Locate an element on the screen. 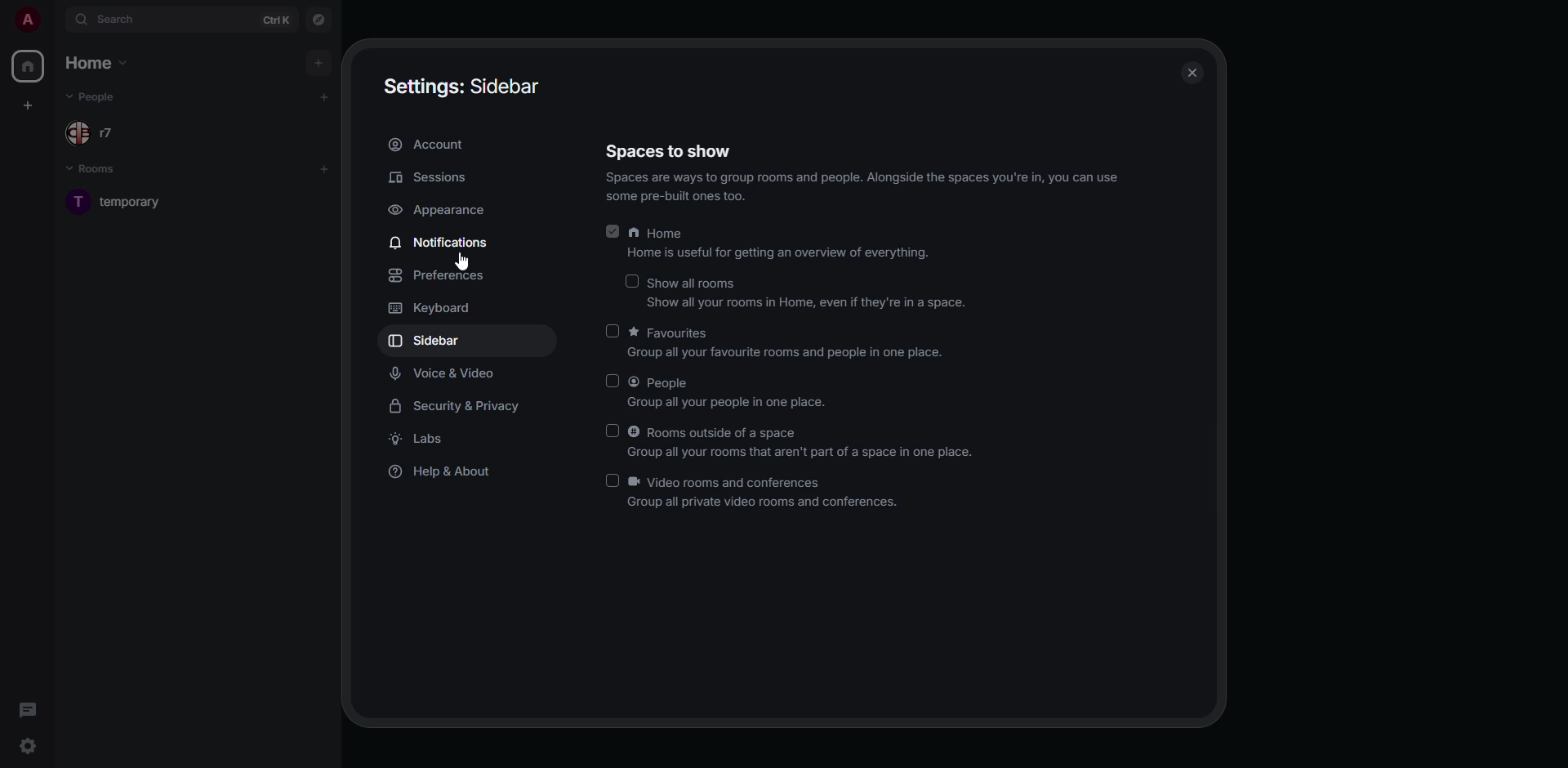  threads is located at coordinates (30, 710).